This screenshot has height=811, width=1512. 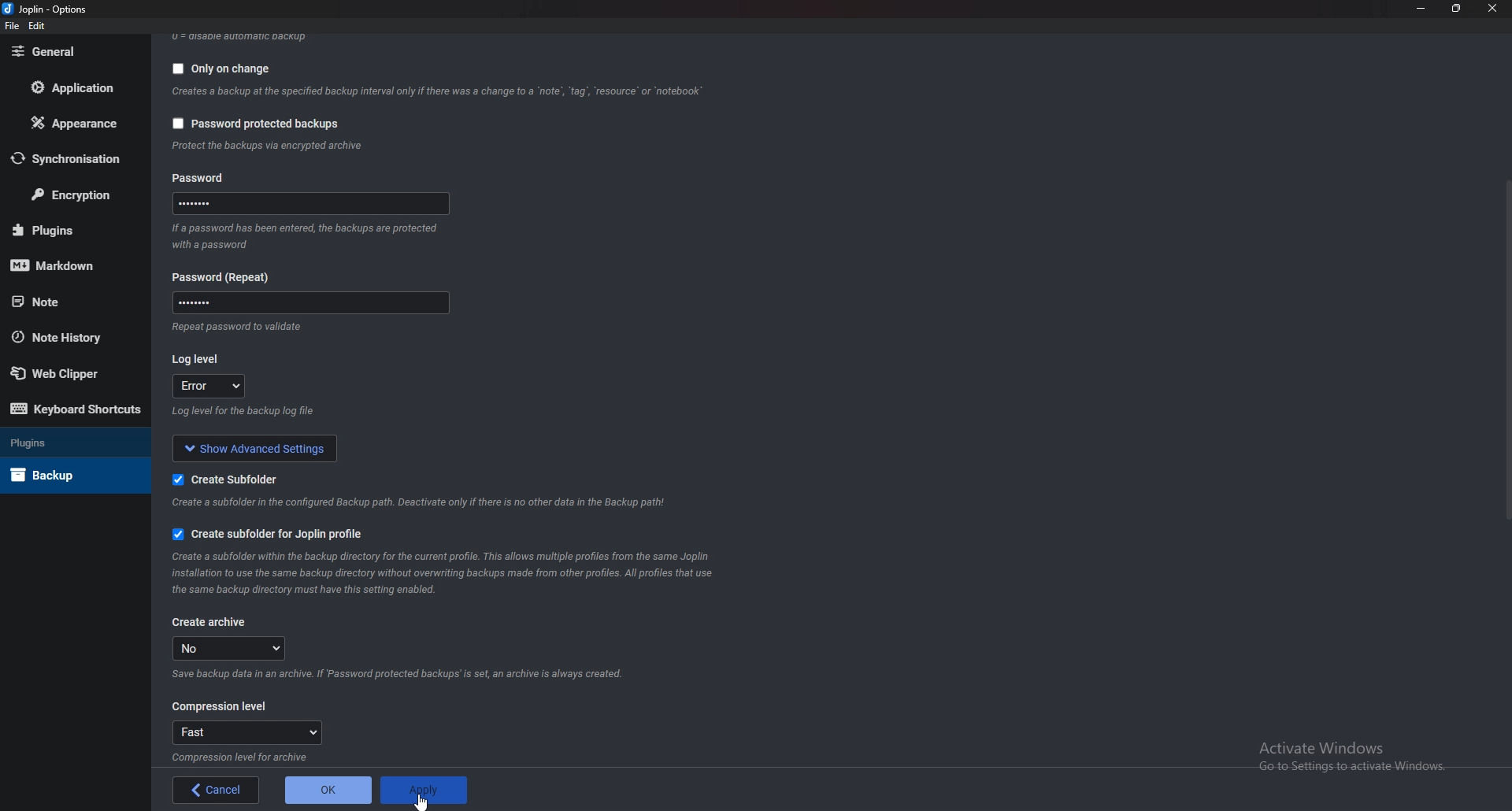 What do you see at coordinates (217, 71) in the screenshot?
I see `Only on change` at bounding box center [217, 71].